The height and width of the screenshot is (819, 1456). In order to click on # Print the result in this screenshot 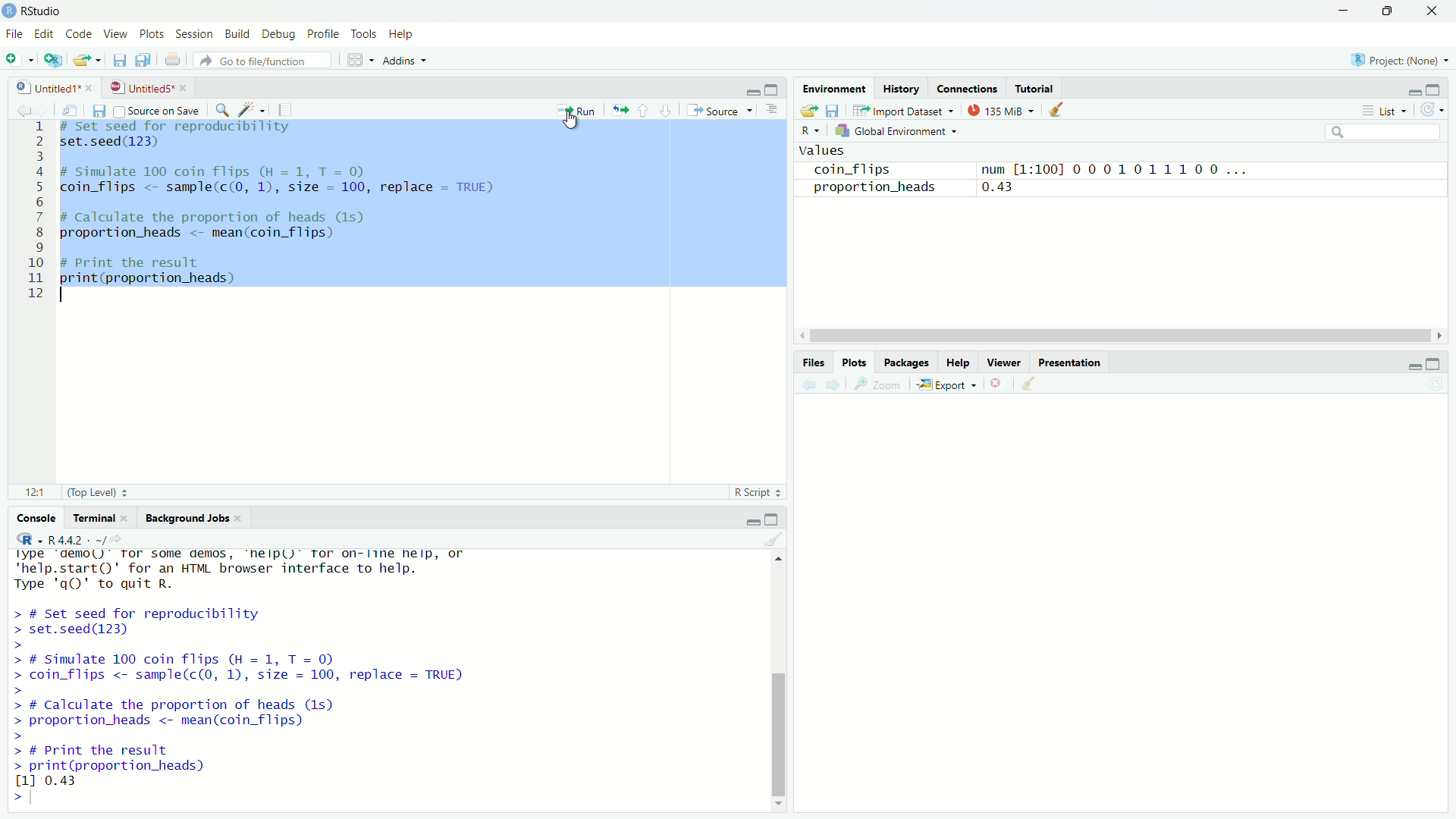, I will do `click(146, 261)`.